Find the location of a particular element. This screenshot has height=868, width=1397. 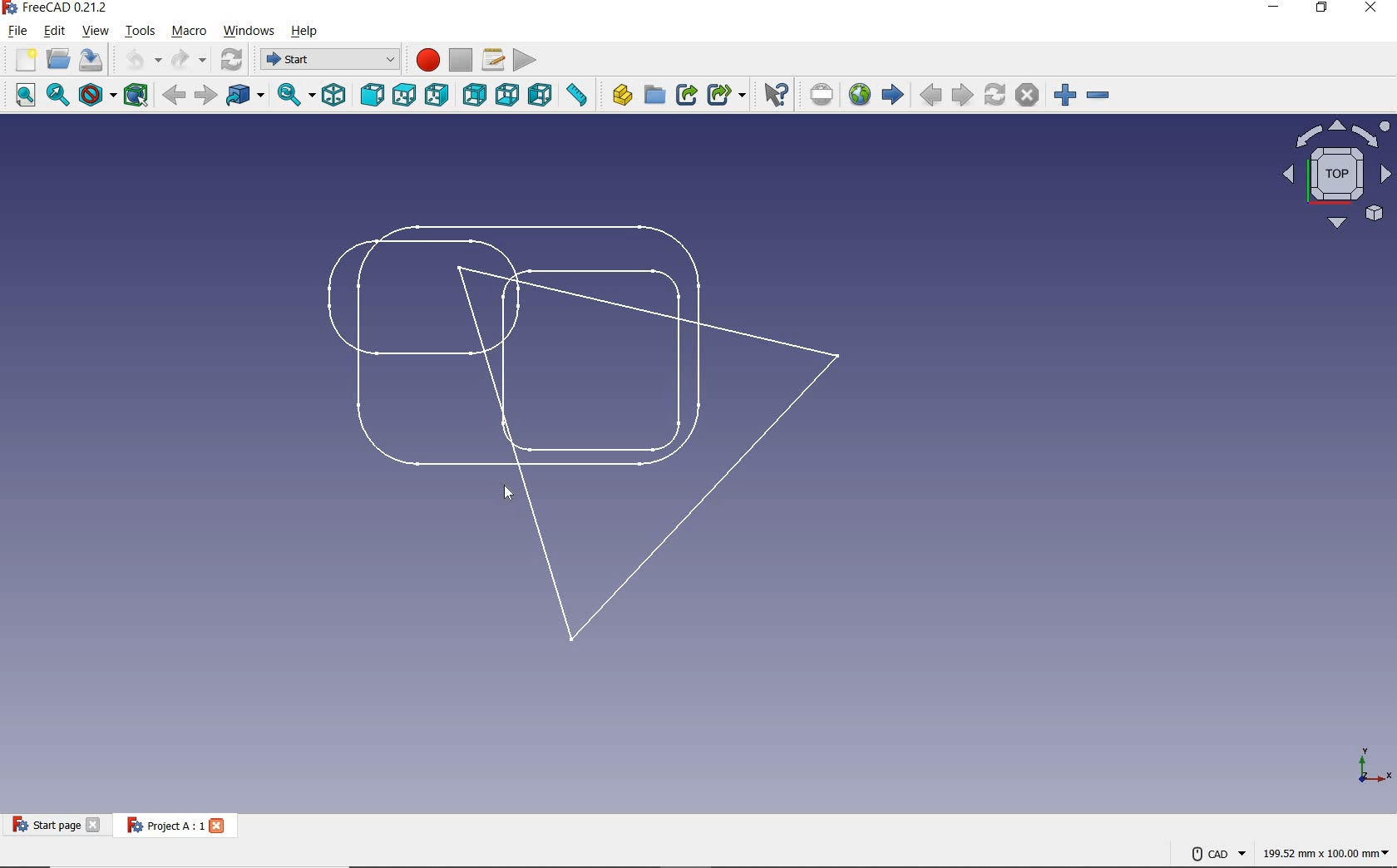

SYNC VIEW is located at coordinates (295, 96).